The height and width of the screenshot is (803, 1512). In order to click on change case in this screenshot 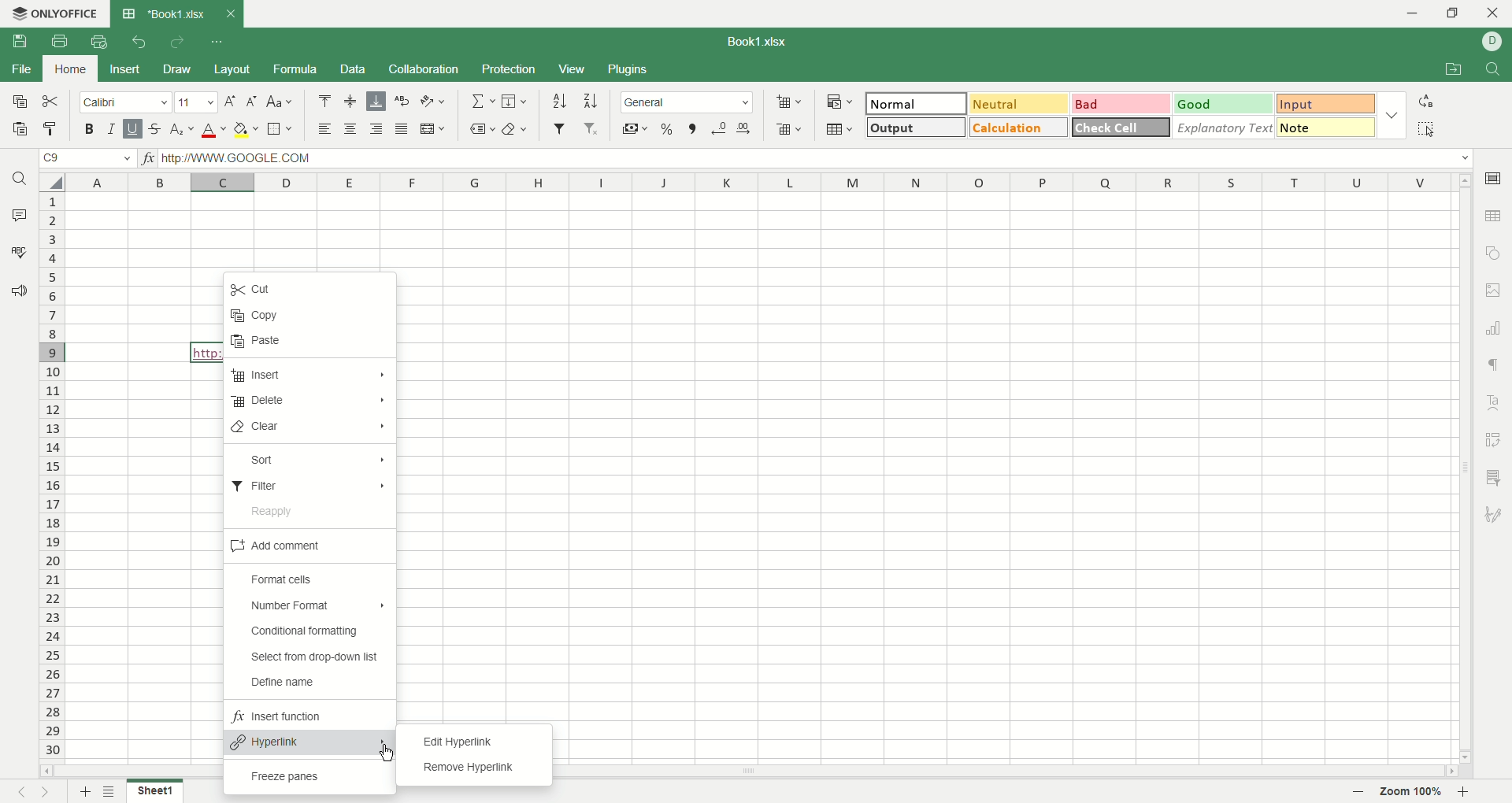, I will do `click(280, 103)`.